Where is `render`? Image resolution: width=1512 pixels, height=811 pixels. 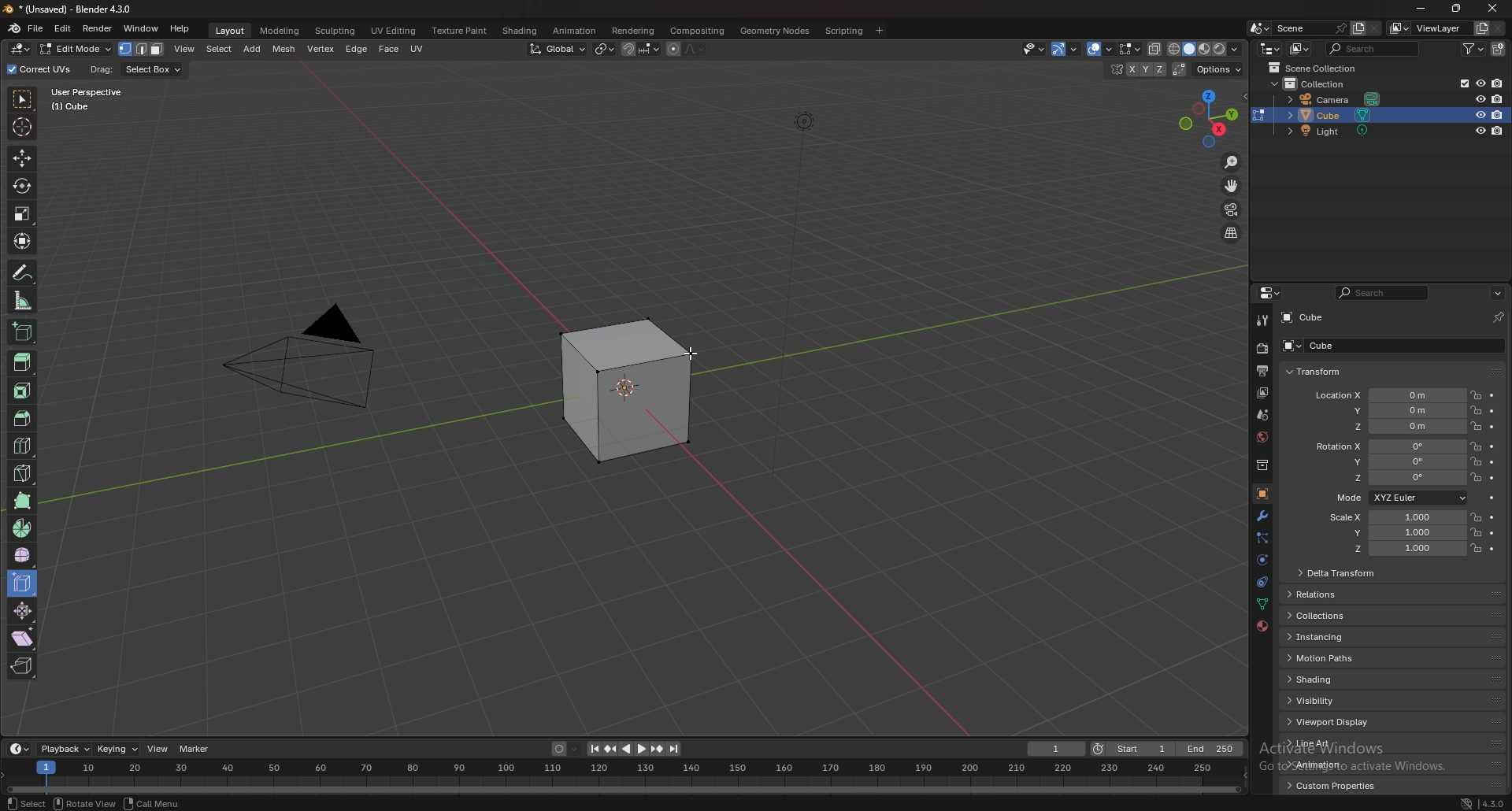 render is located at coordinates (98, 28).